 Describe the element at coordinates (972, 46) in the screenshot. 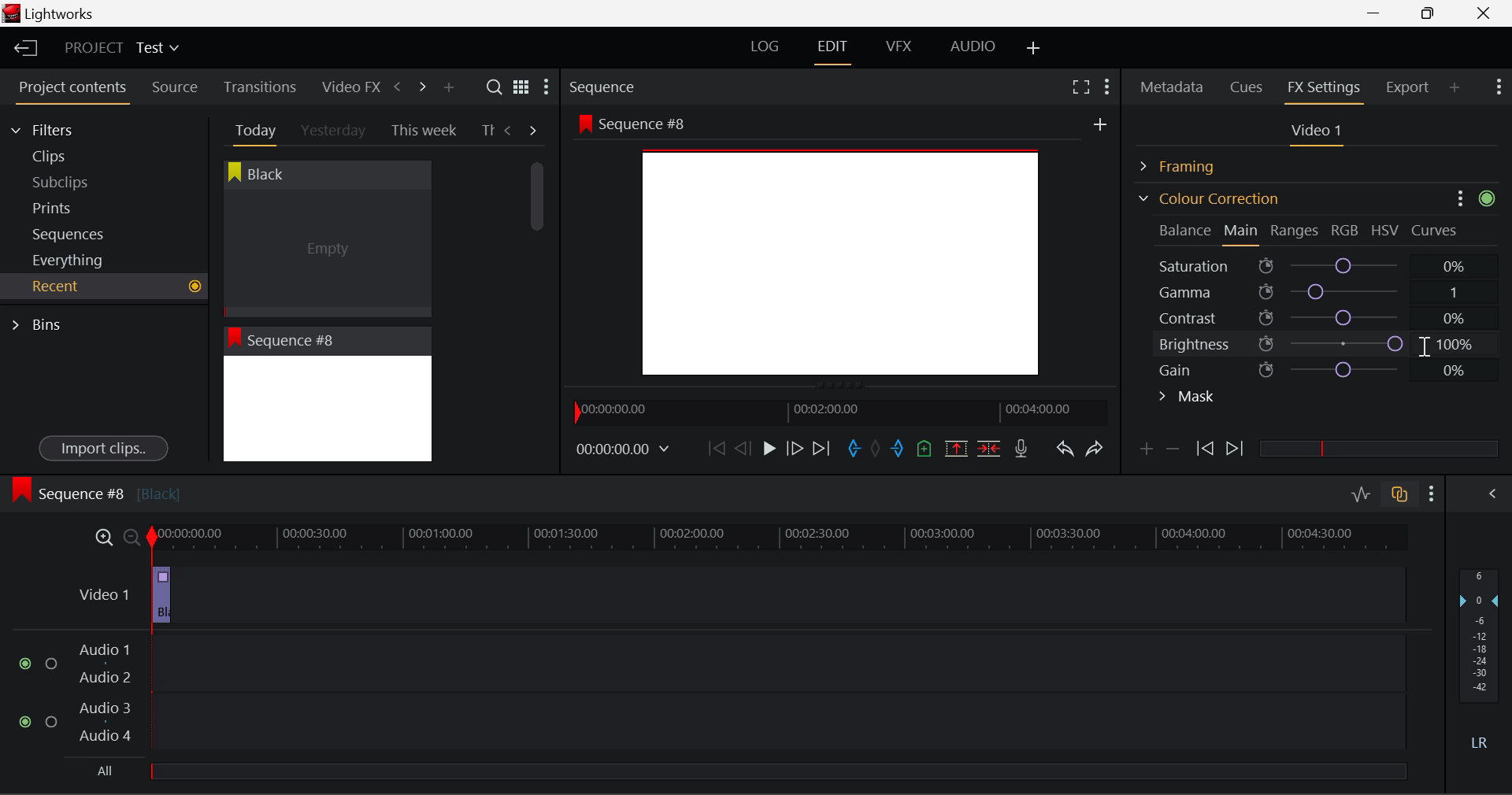

I see `AUDIO Layout` at that location.